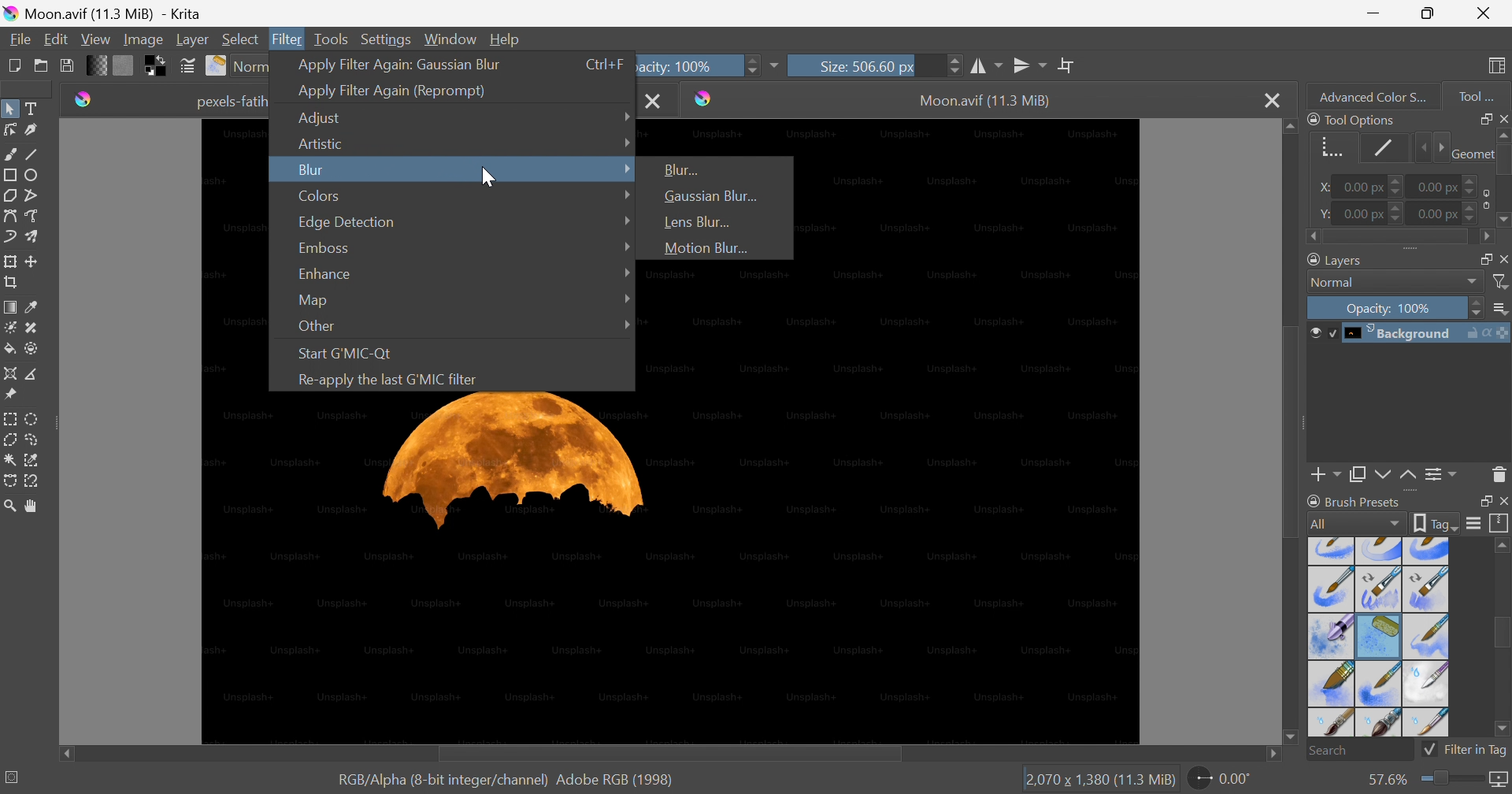 Image resolution: width=1512 pixels, height=794 pixels. I want to click on Colorize mask tool, so click(9, 328).